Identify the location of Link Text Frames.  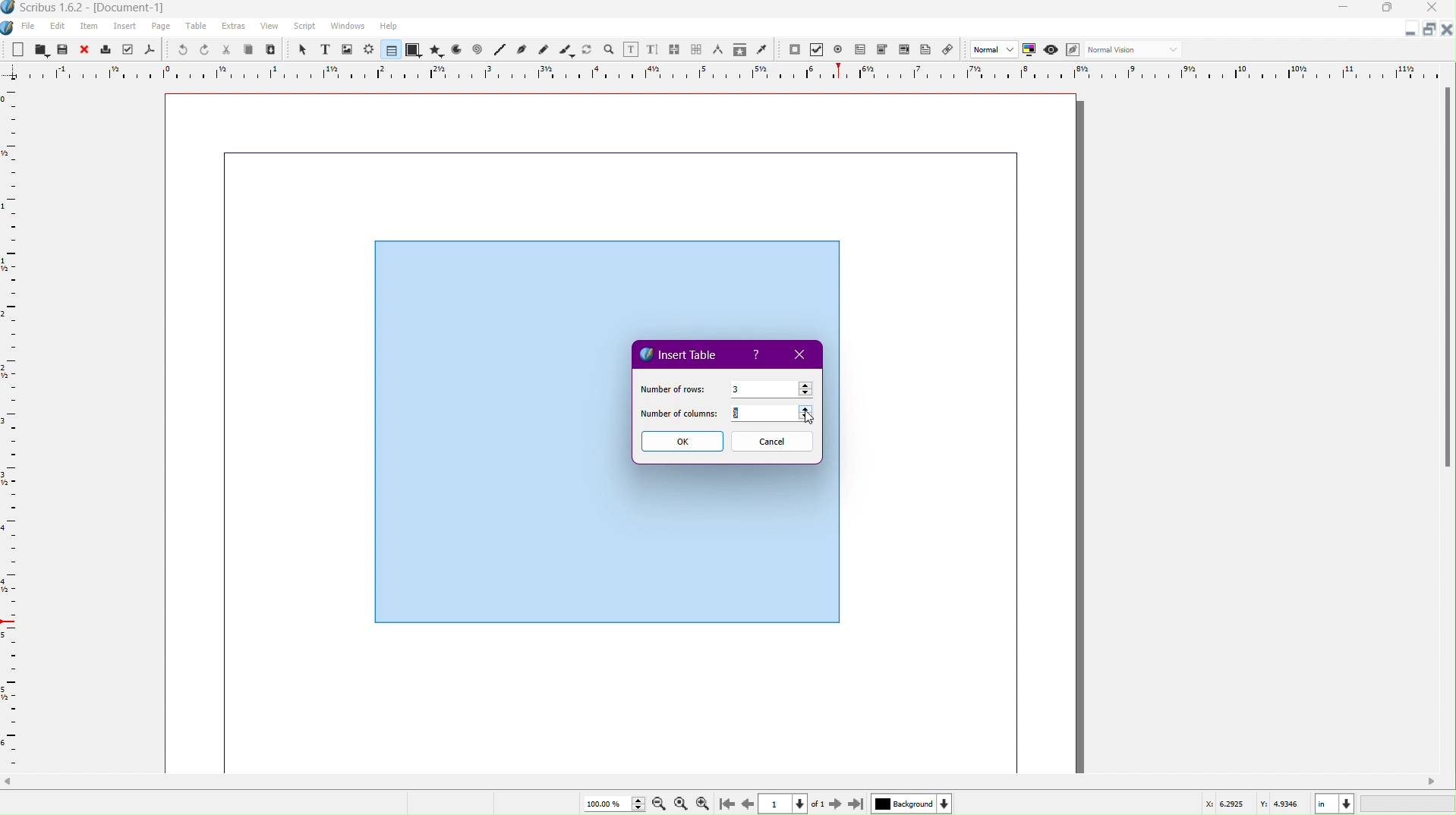
(675, 47).